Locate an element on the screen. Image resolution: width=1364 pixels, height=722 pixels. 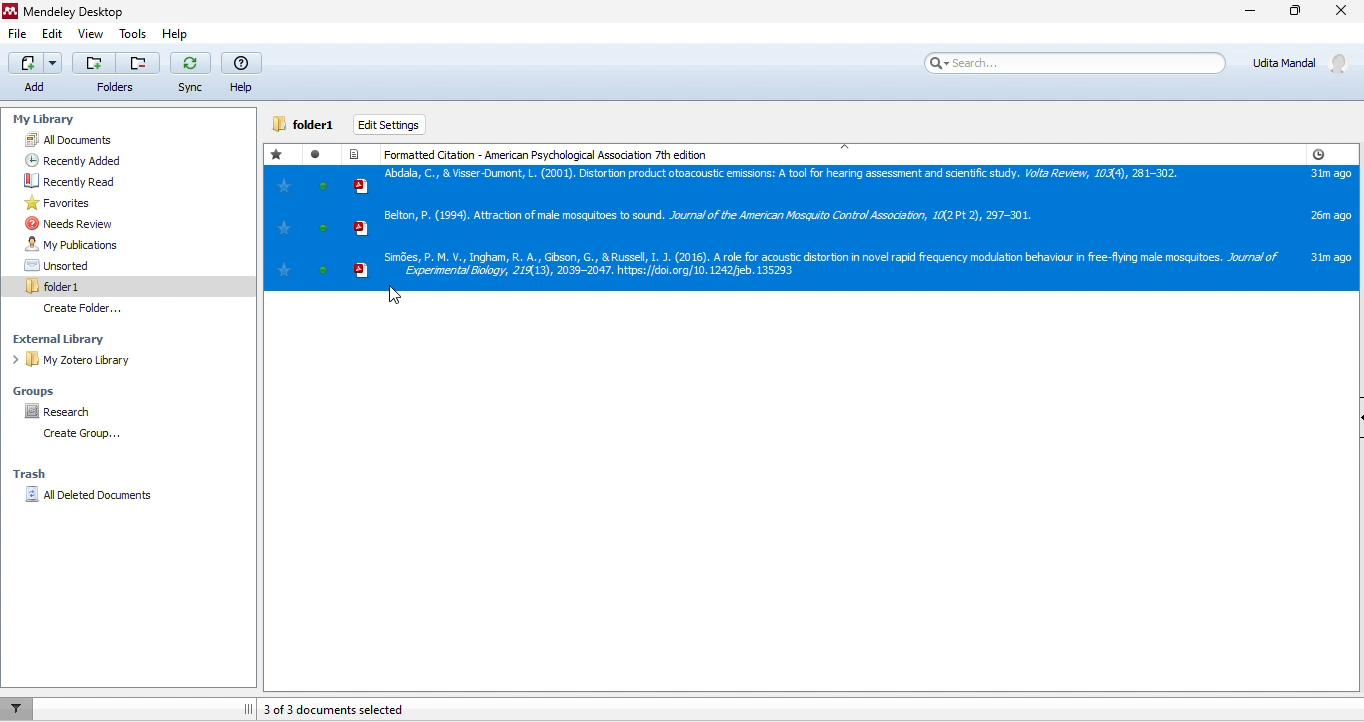
all deleted documents is located at coordinates (90, 501).